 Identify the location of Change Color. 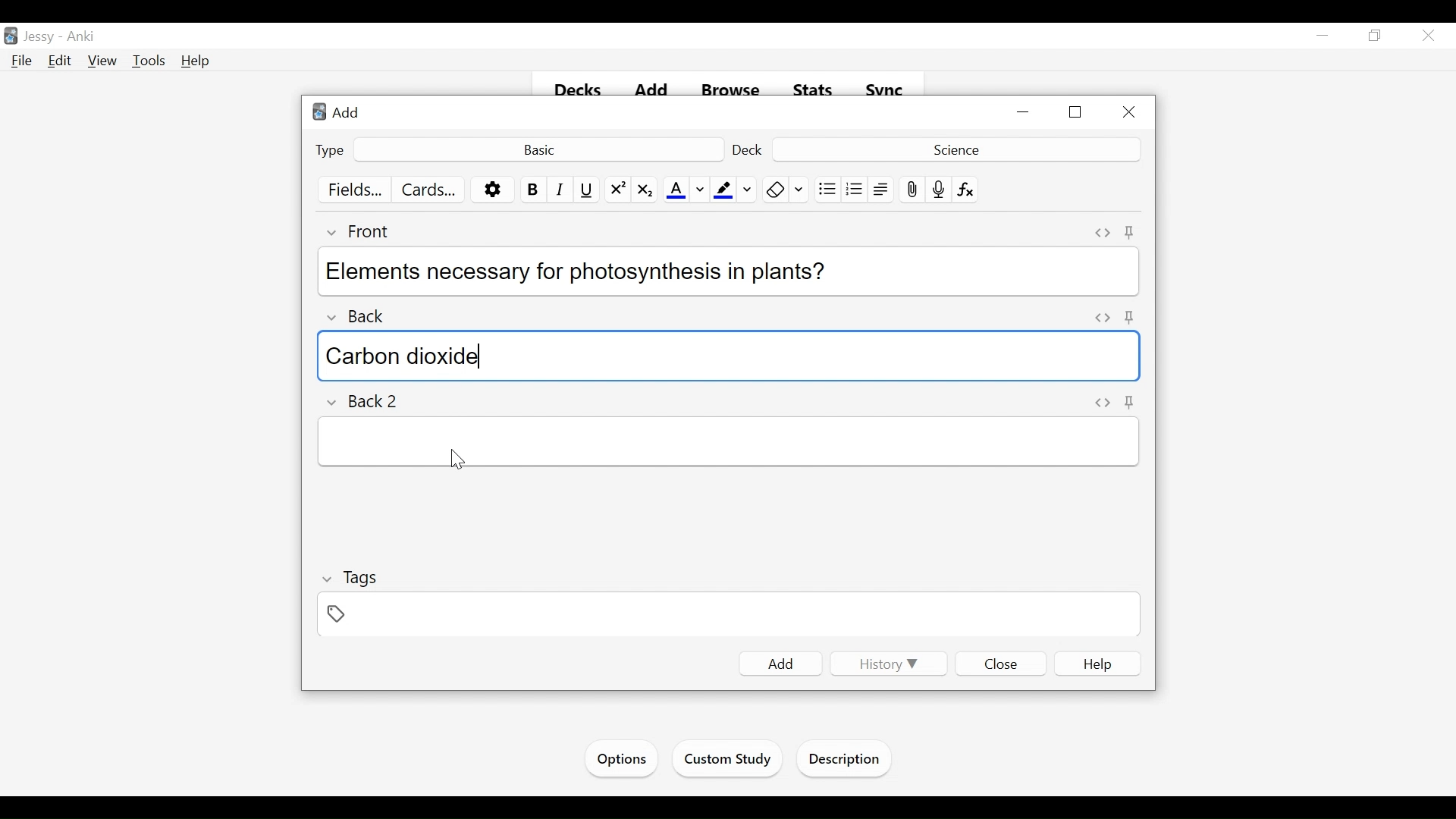
(748, 190).